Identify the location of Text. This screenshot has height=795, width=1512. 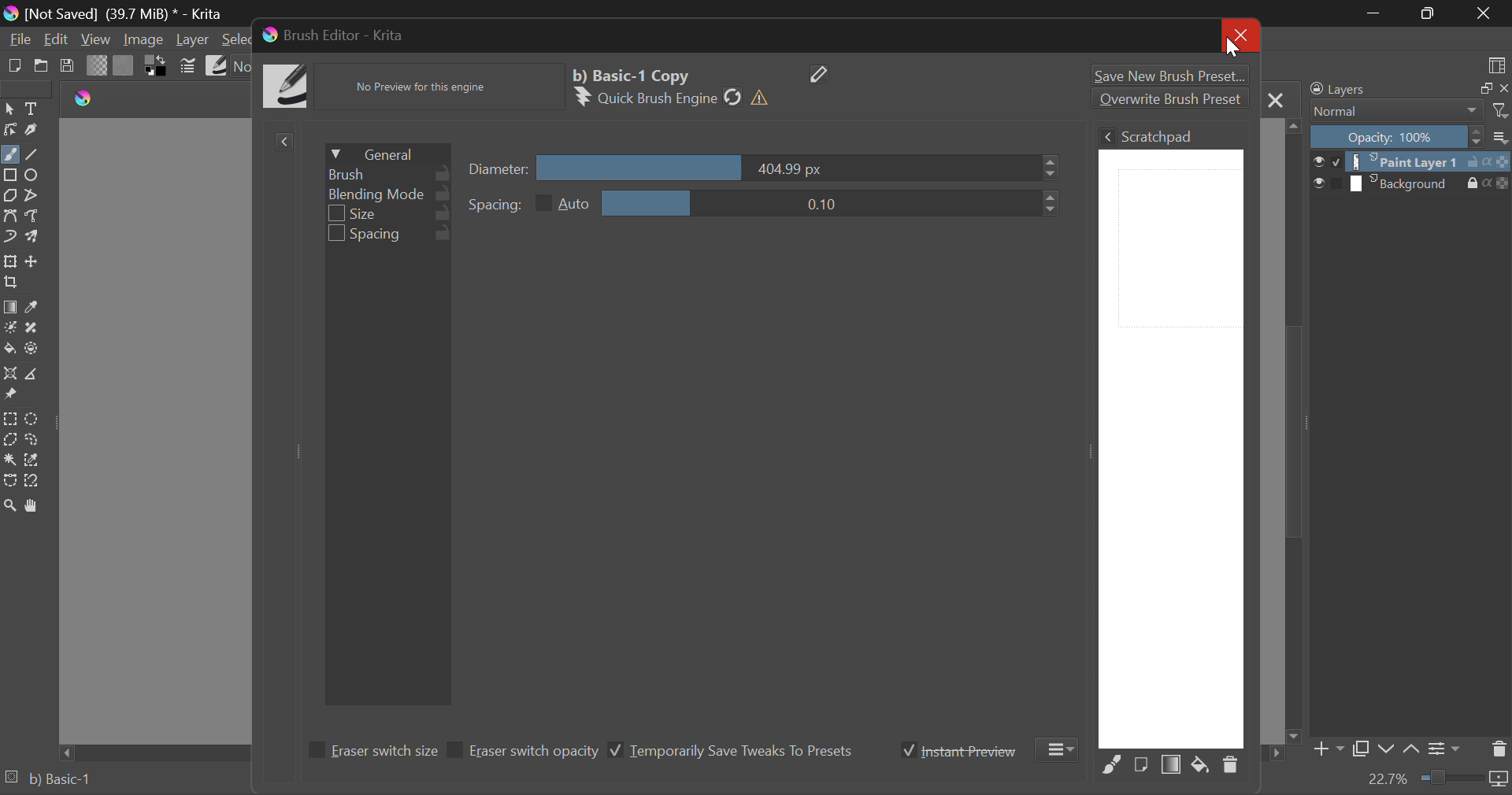
(31, 109).